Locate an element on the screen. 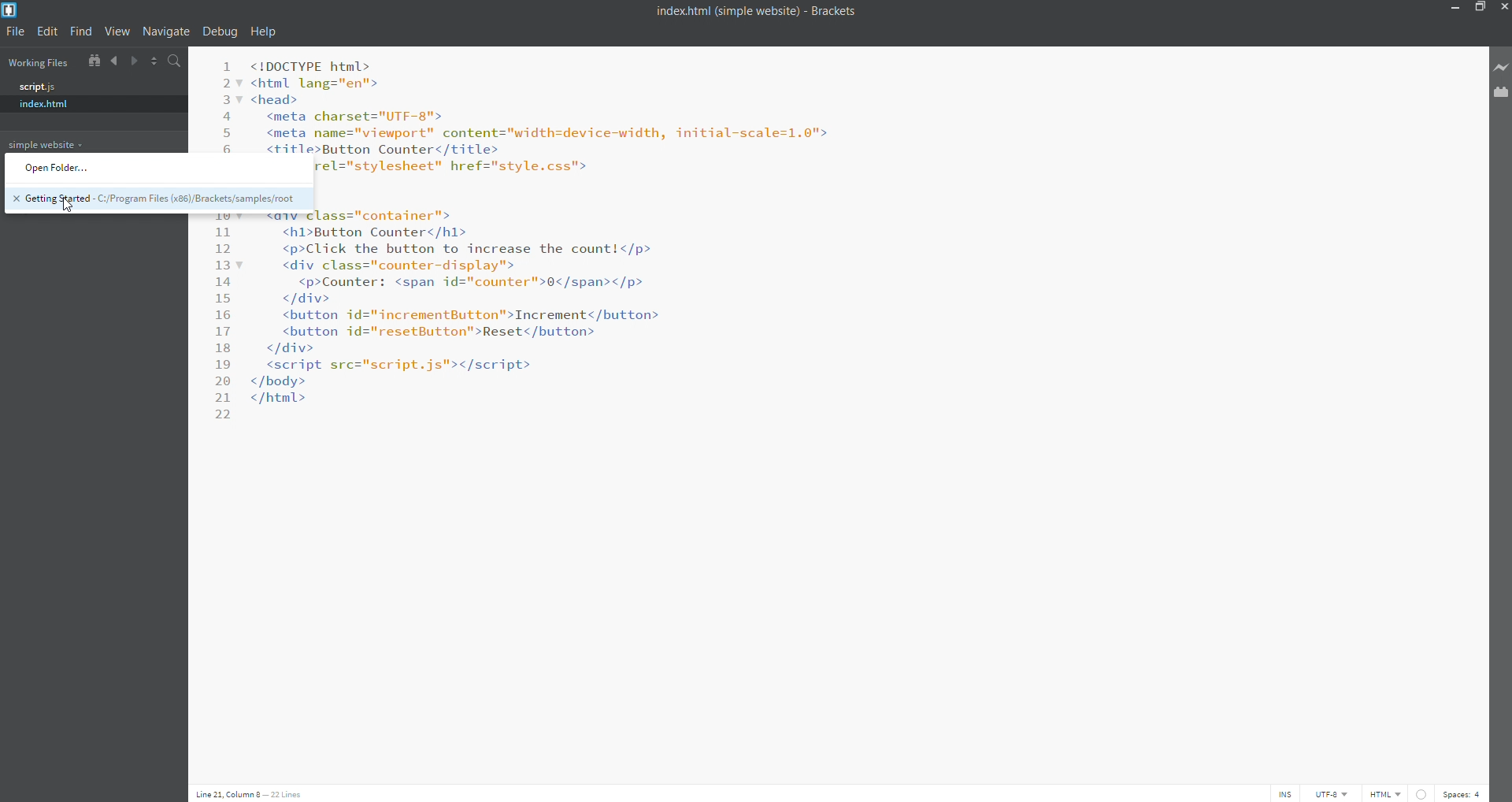 The image size is (1512, 802). spaces: 4 is located at coordinates (1465, 794).